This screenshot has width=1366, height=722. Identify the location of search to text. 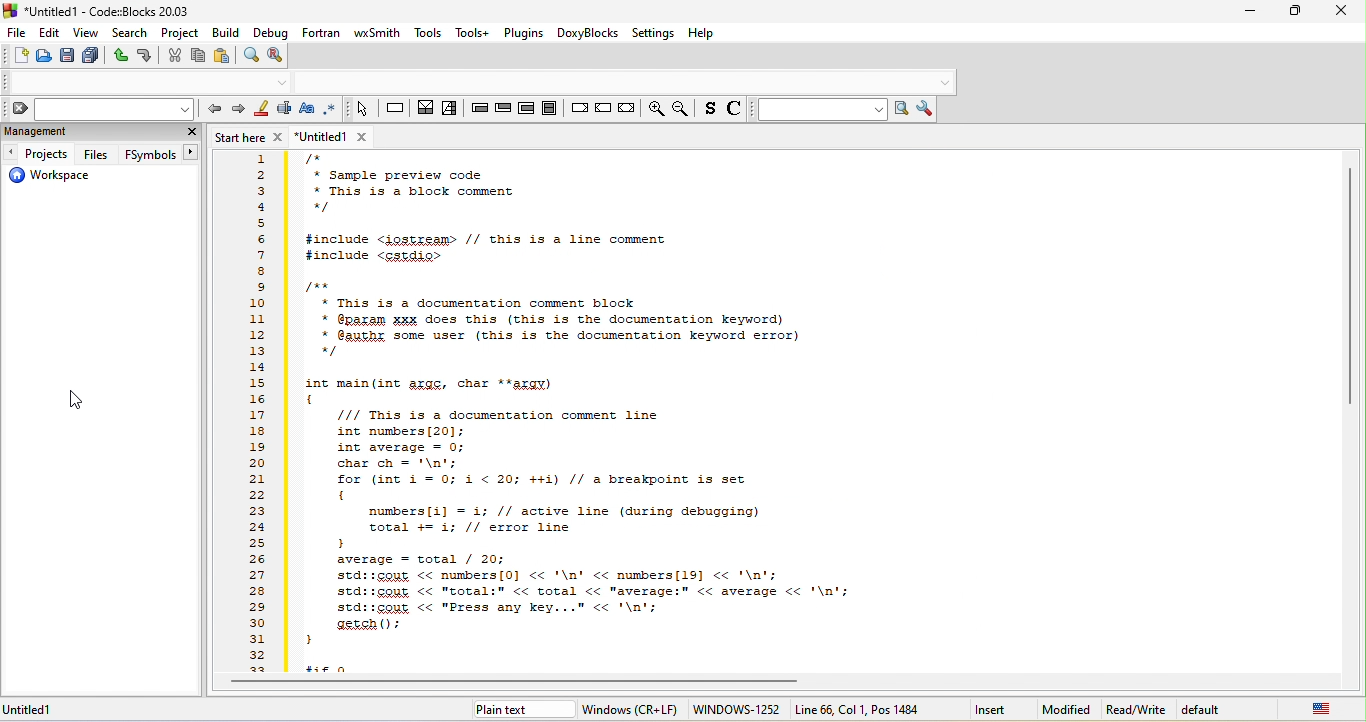
(819, 111).